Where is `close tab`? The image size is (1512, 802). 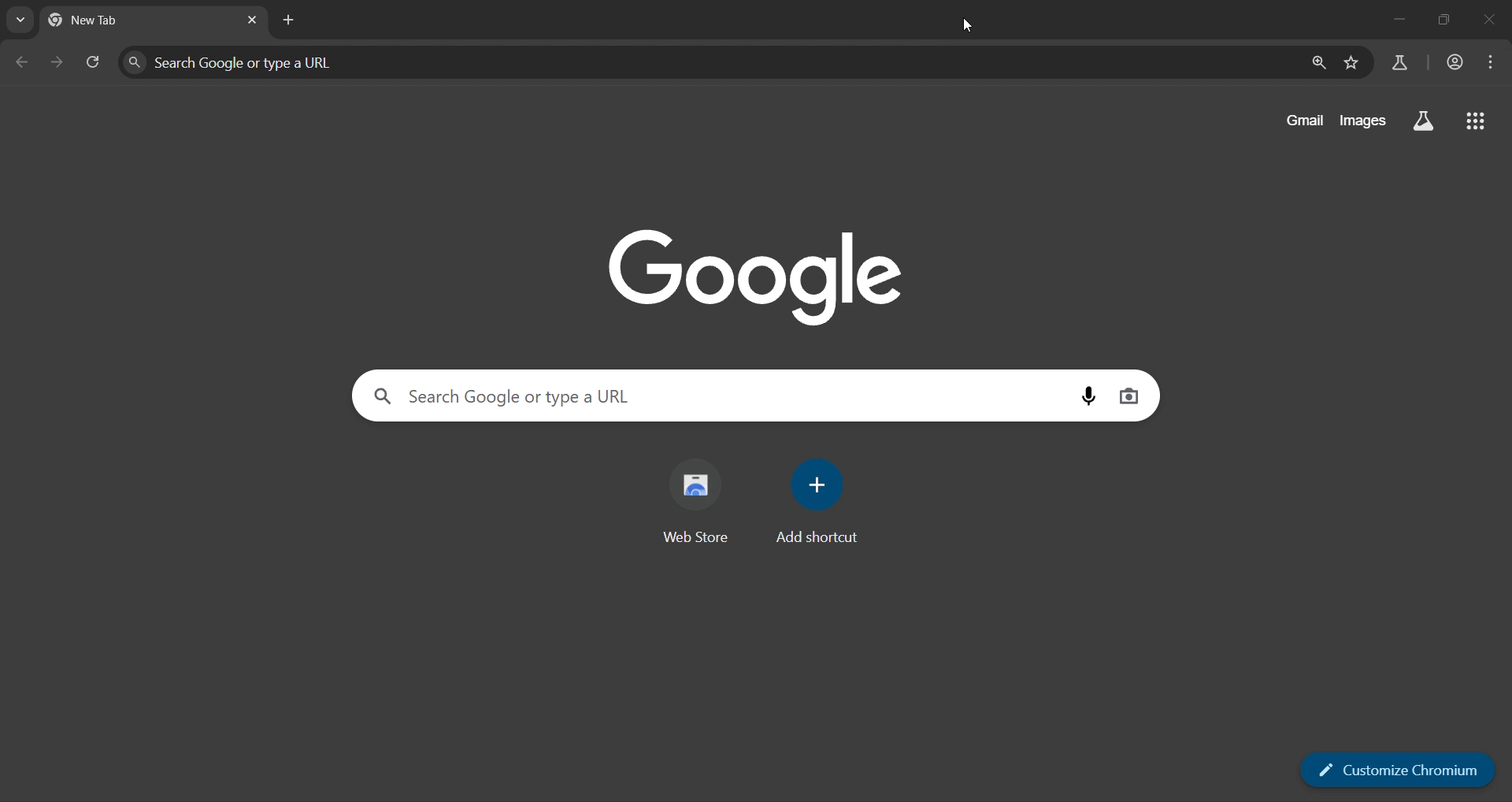 close tab is located at coordinates (252, 22).